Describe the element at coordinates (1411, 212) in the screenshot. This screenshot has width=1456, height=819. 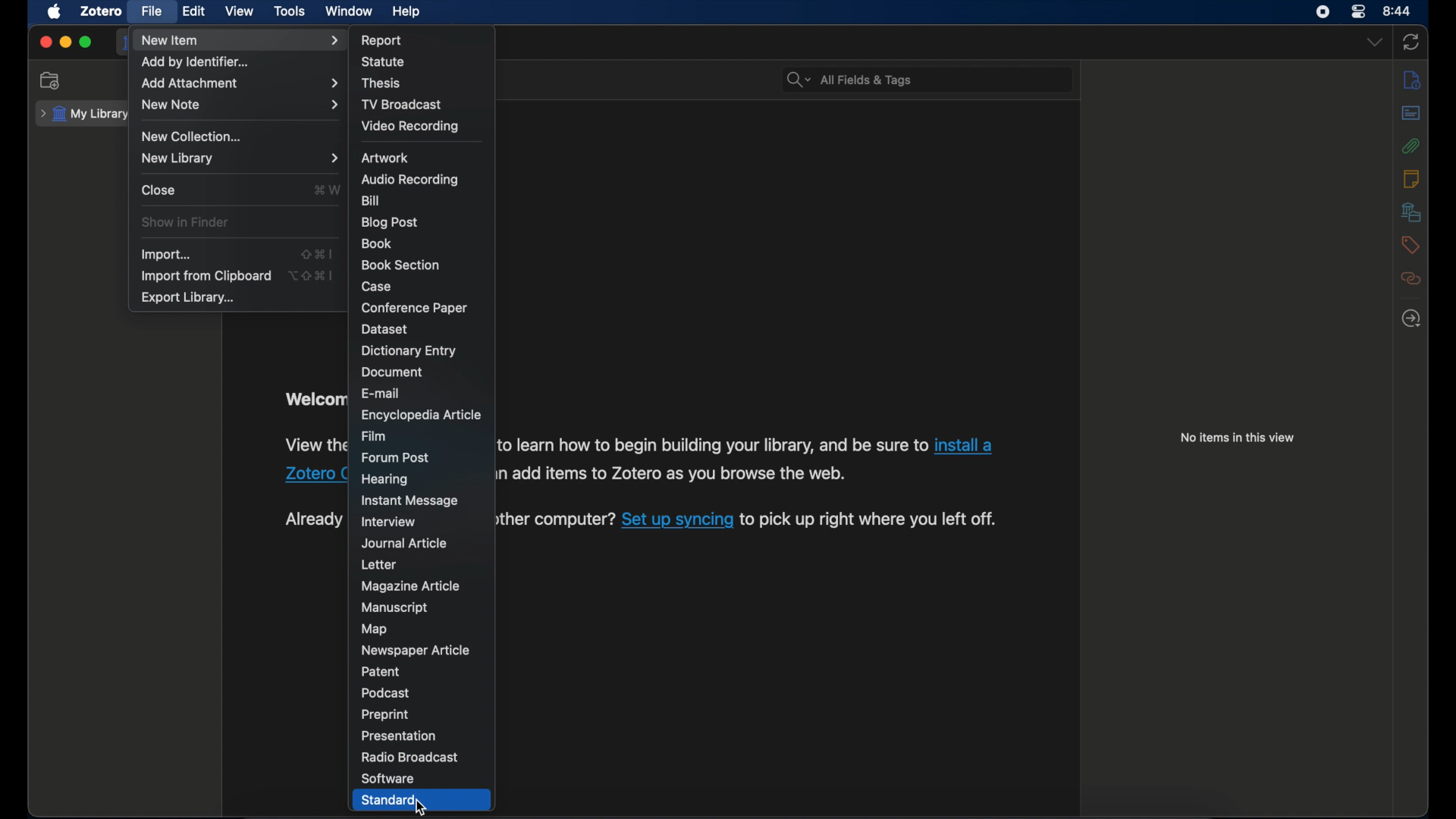
I see `libraries` at that location.